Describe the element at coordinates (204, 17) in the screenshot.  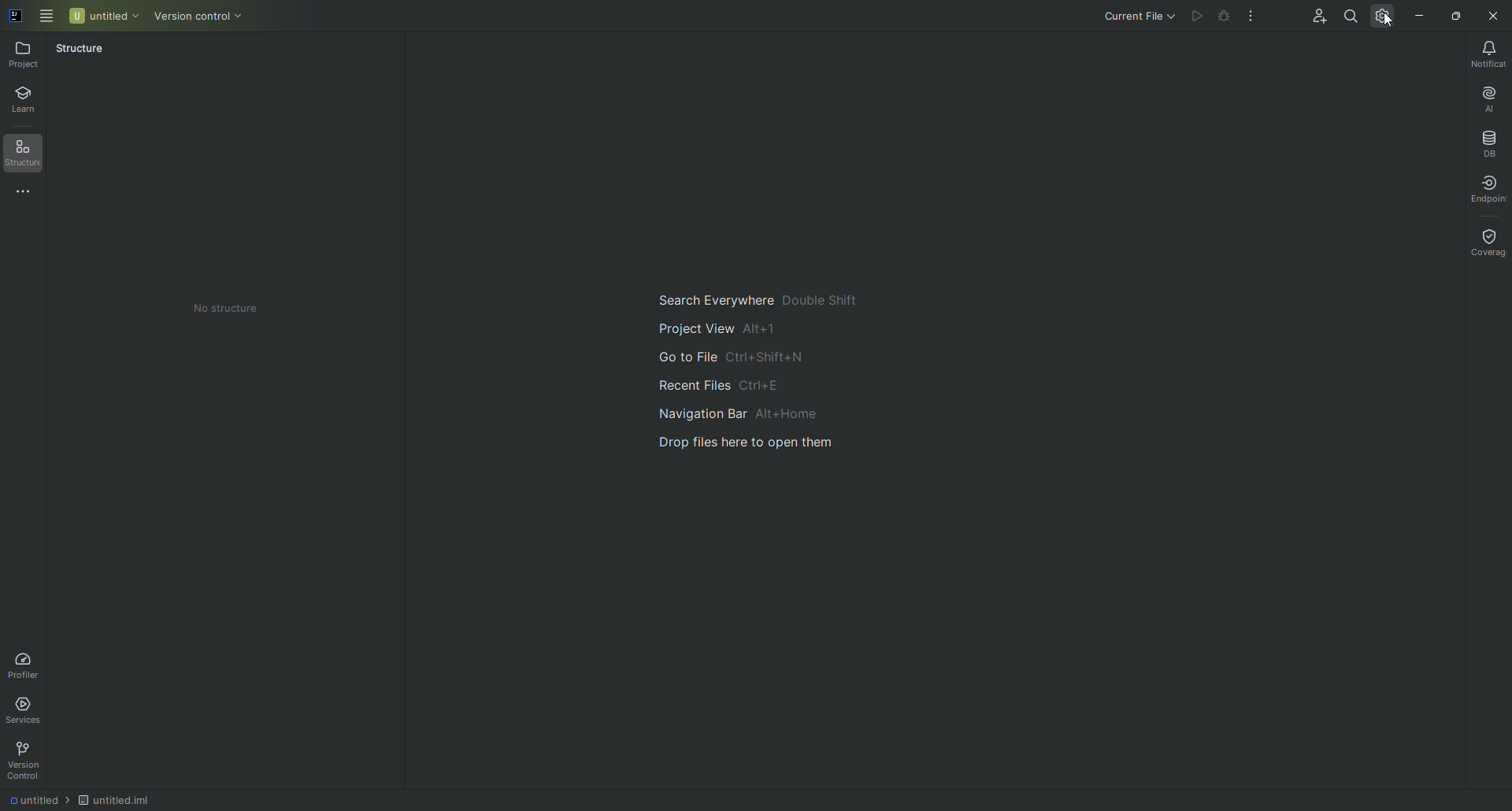
I see `Version control` at that location.